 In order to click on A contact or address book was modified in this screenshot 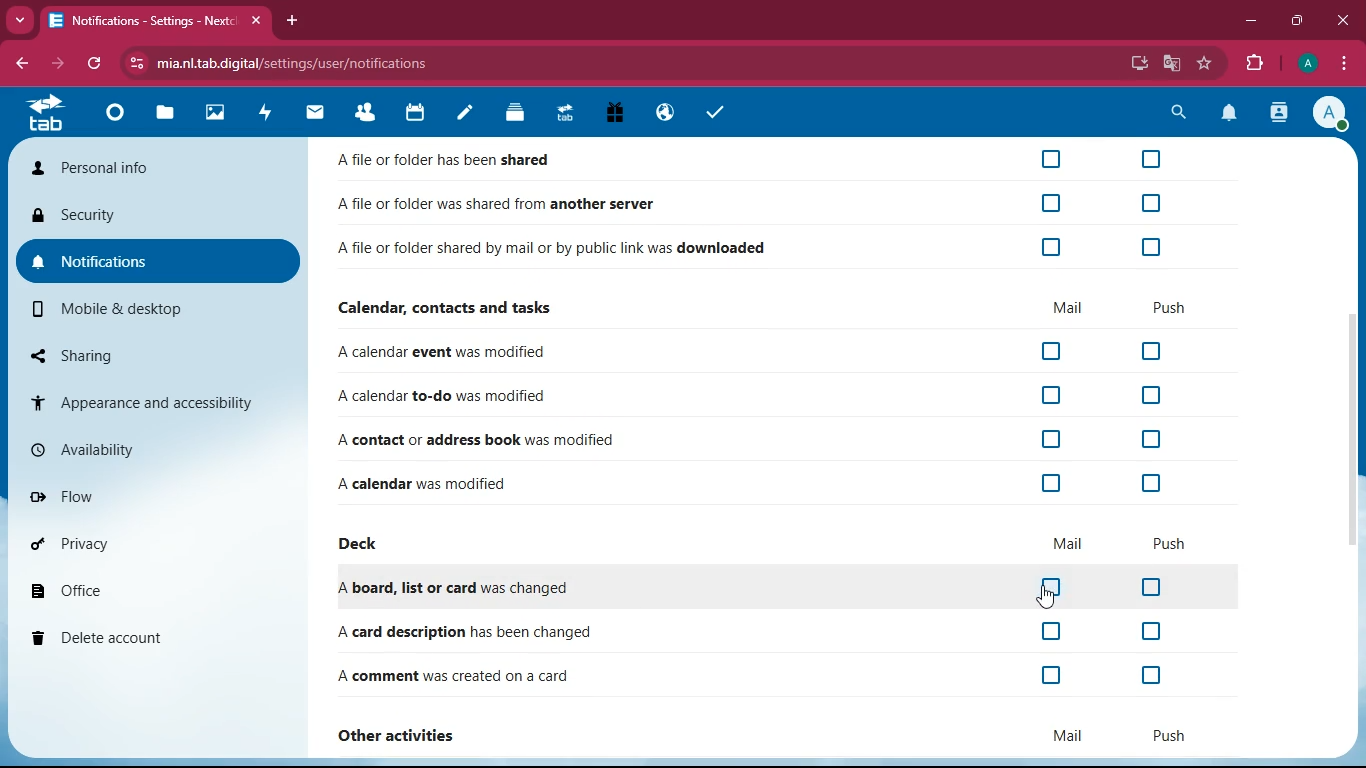, I will do `click(484, 437)`.